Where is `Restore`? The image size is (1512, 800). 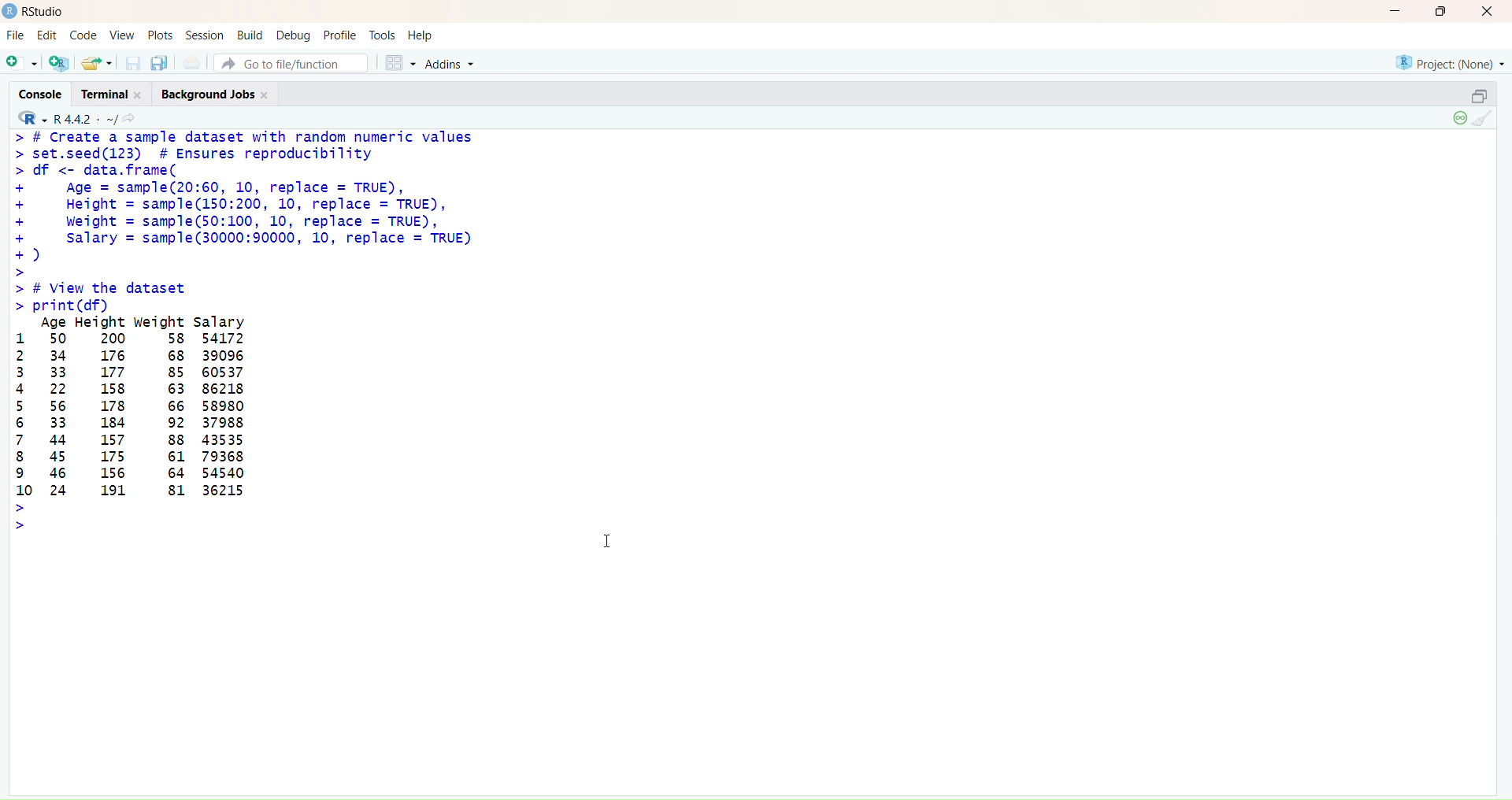
Restore is located at coordinates (1479, 96).